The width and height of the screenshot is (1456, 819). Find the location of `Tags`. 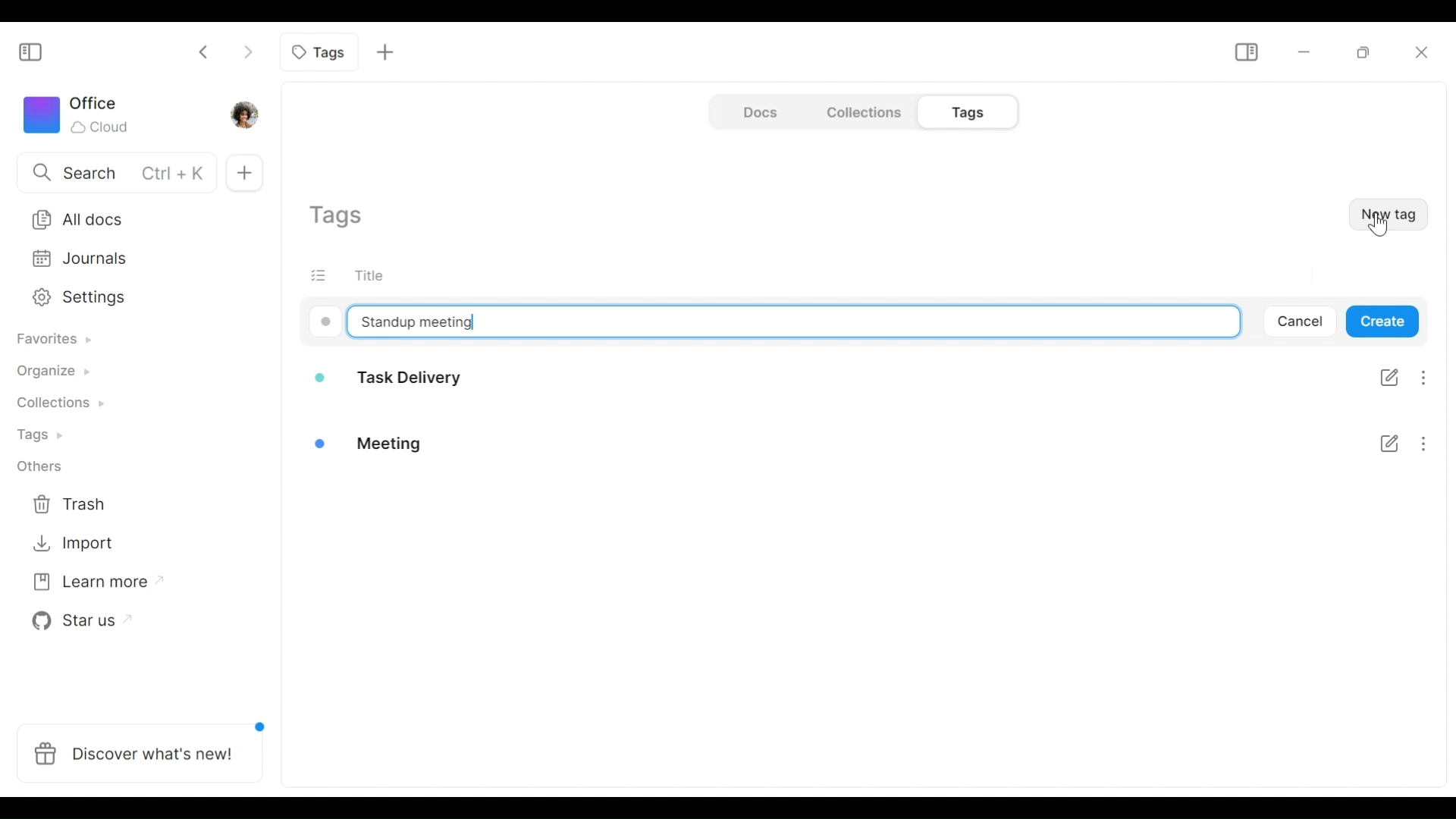

Tags is located at coordinates (46, 436).